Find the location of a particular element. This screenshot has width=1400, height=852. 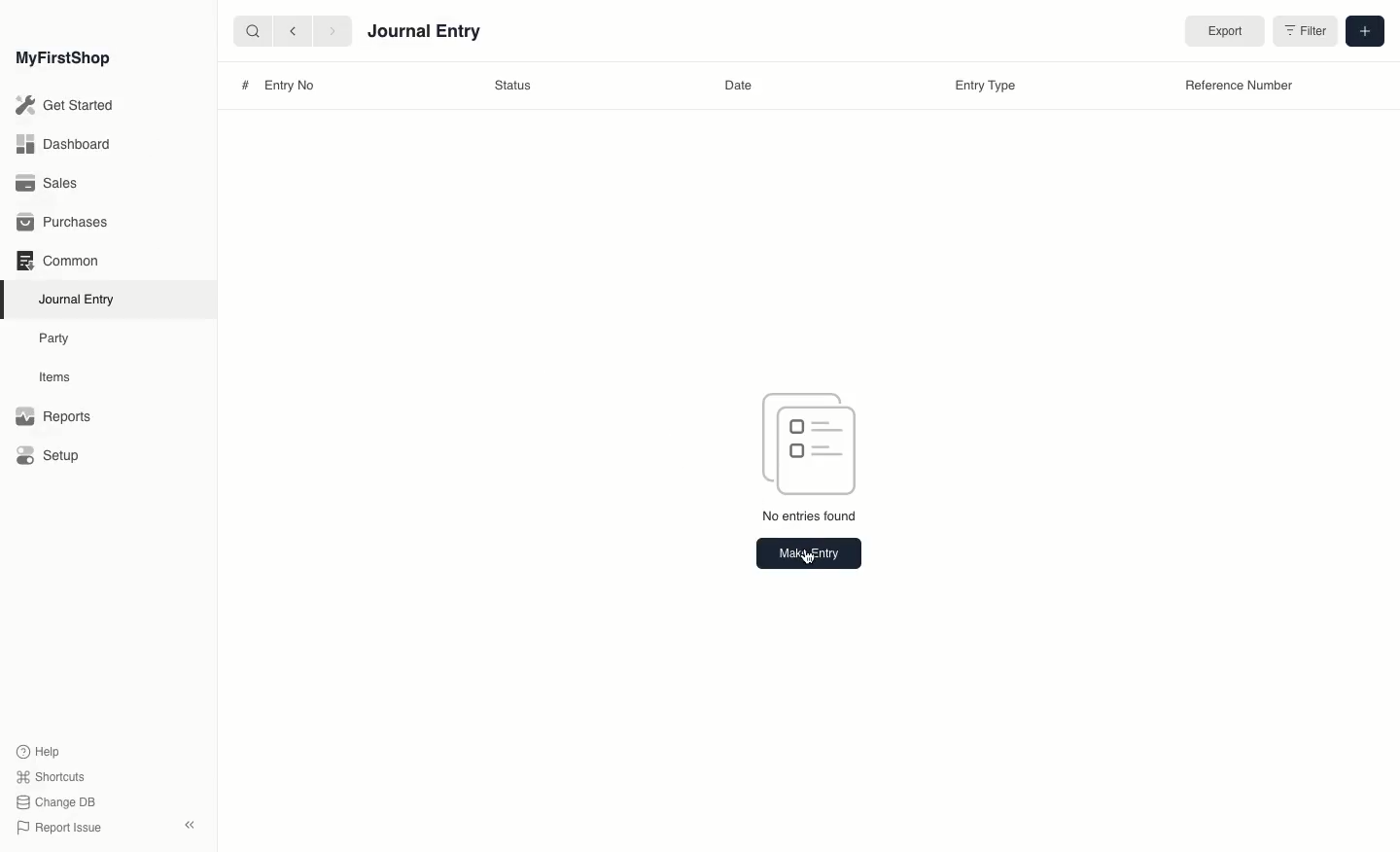

Entry Type is located at coordinates (988, 86).